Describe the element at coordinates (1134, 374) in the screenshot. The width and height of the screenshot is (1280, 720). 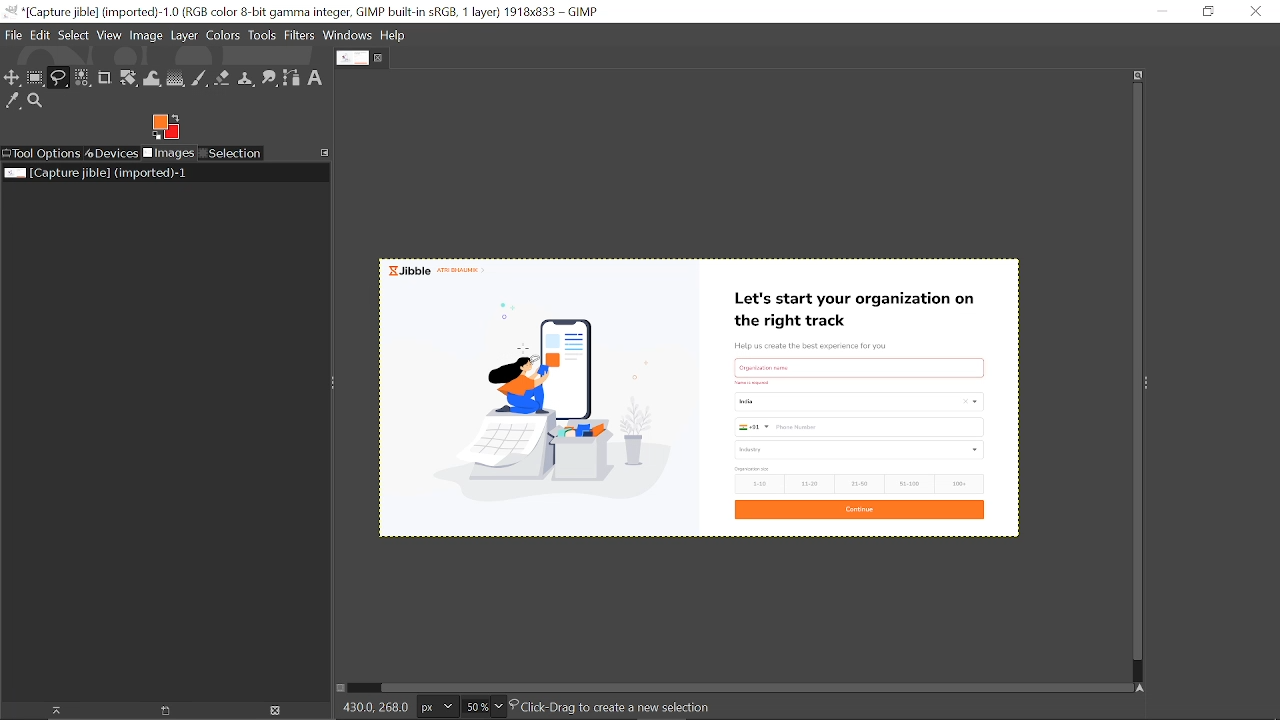
I see `Vertical scrollbar` at that location.